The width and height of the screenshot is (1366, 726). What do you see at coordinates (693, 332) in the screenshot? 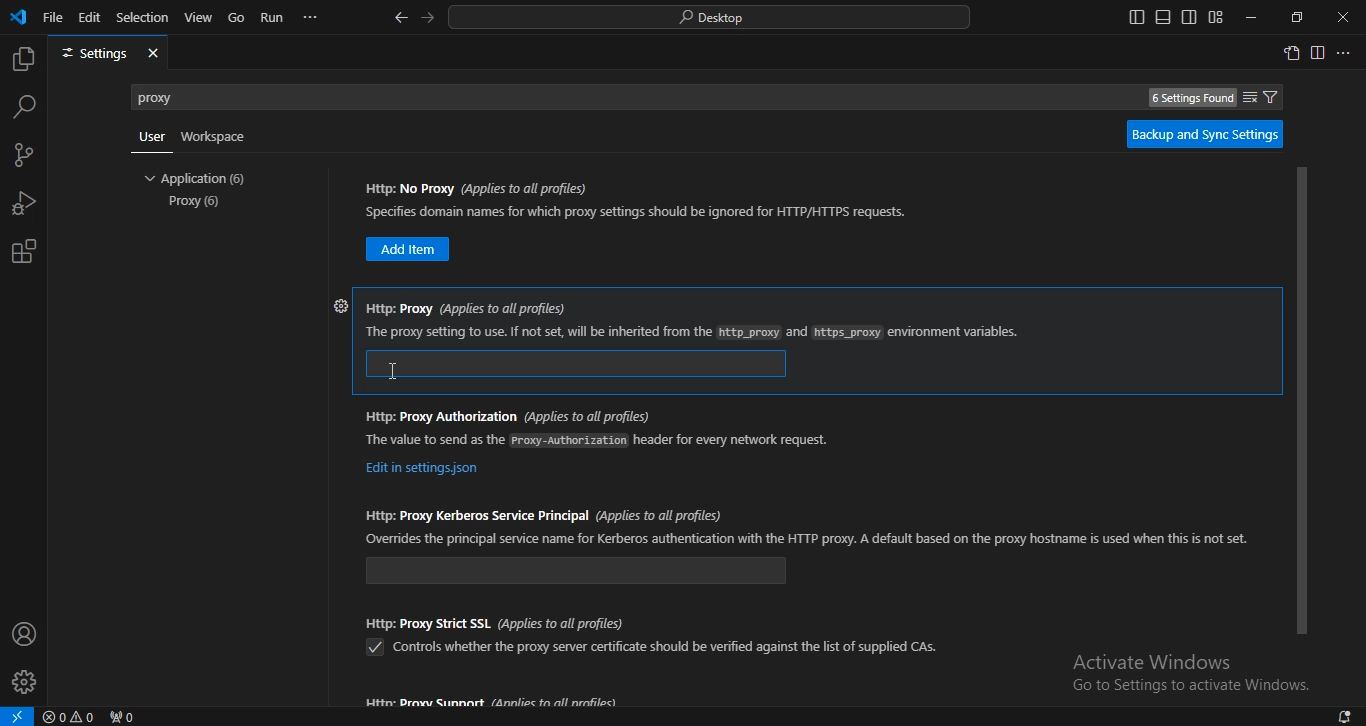
I see `https: proxy` at bounding box center [693, 332].